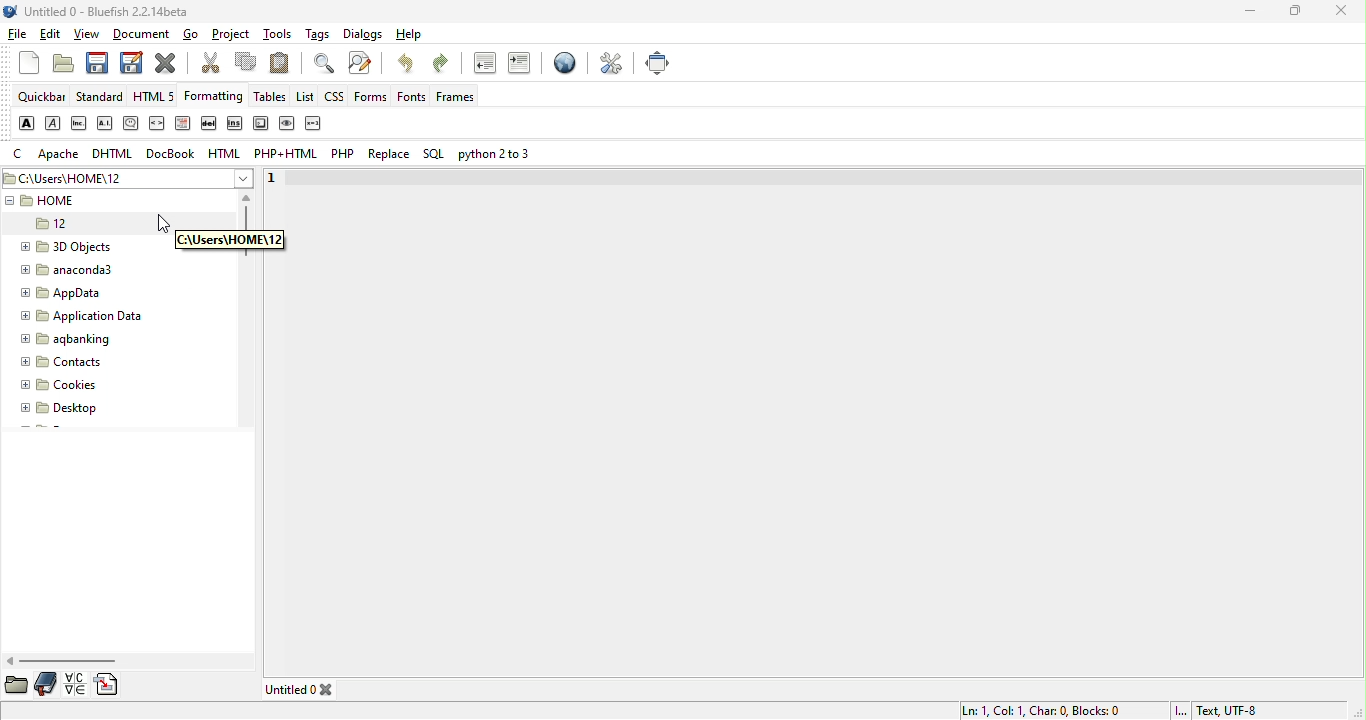  Describe the element at coordinates (18, 37) in the screenshot. I see `file` at that location.